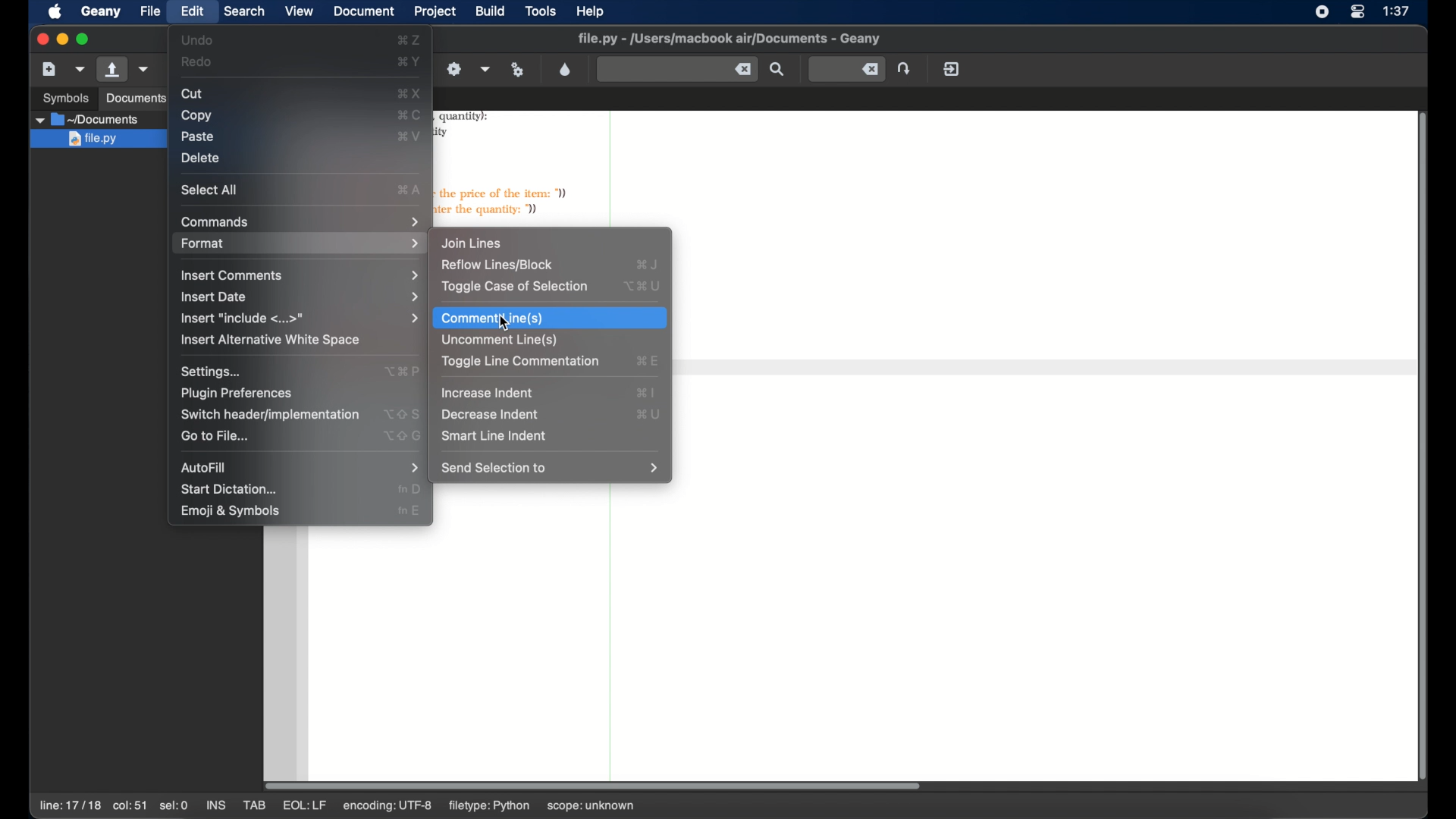 The image size is (1456, 819). Describe the element at coordinates (240, 394) in the screenshot. I see `plugin preferences` at that location.